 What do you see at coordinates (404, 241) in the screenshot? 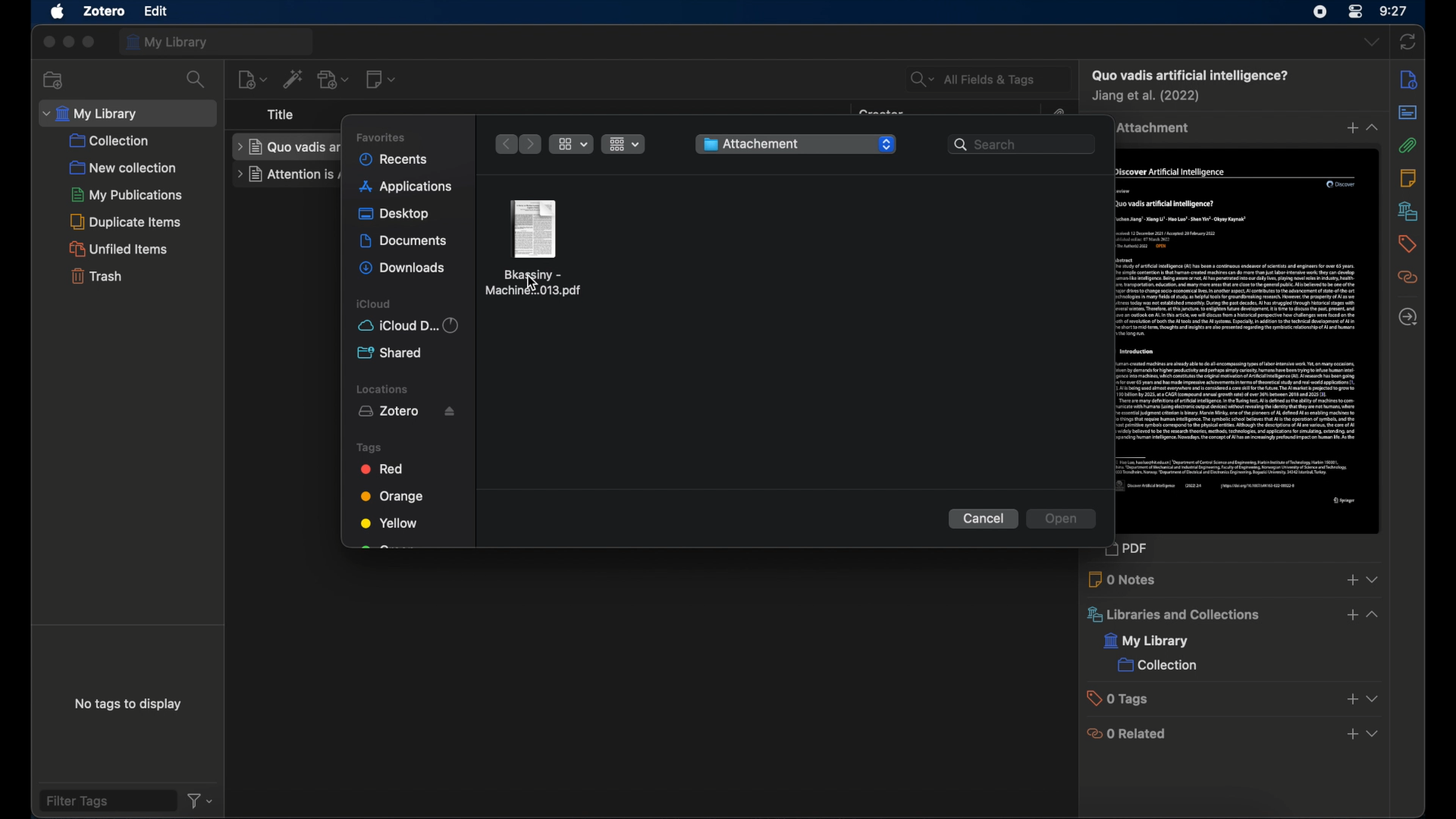
I see `documents` at bounding box center [404, 241].